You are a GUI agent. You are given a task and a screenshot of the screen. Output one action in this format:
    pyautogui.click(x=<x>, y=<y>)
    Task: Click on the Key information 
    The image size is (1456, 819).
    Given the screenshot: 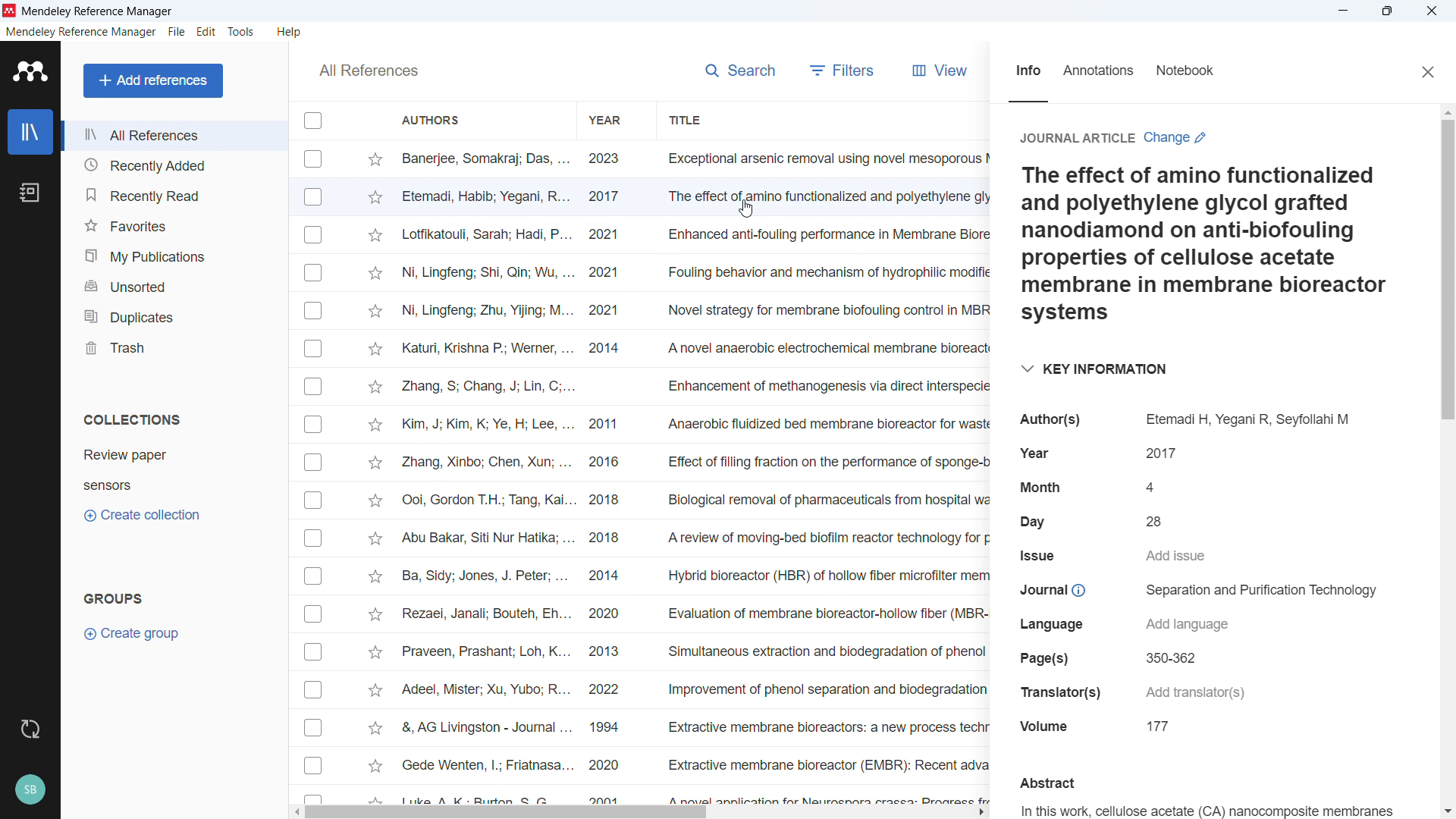 What is the action you would take?
    pyautogui.click(x=1097, y=369)
    